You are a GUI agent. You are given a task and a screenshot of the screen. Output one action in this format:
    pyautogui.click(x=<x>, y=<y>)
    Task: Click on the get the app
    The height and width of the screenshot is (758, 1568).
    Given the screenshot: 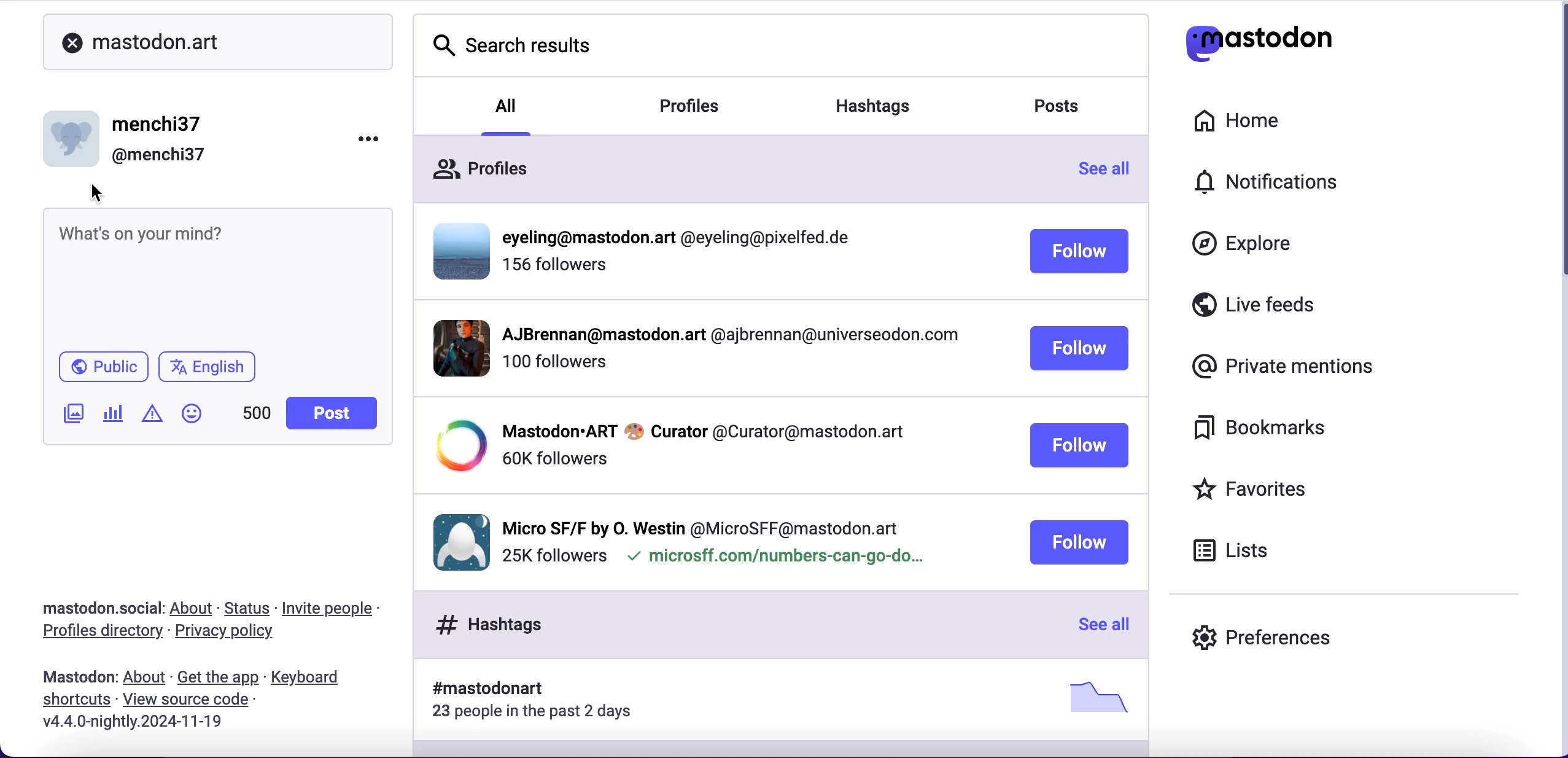 What is the action you would take?
    pyautogui.click(x=217, y=678)
    